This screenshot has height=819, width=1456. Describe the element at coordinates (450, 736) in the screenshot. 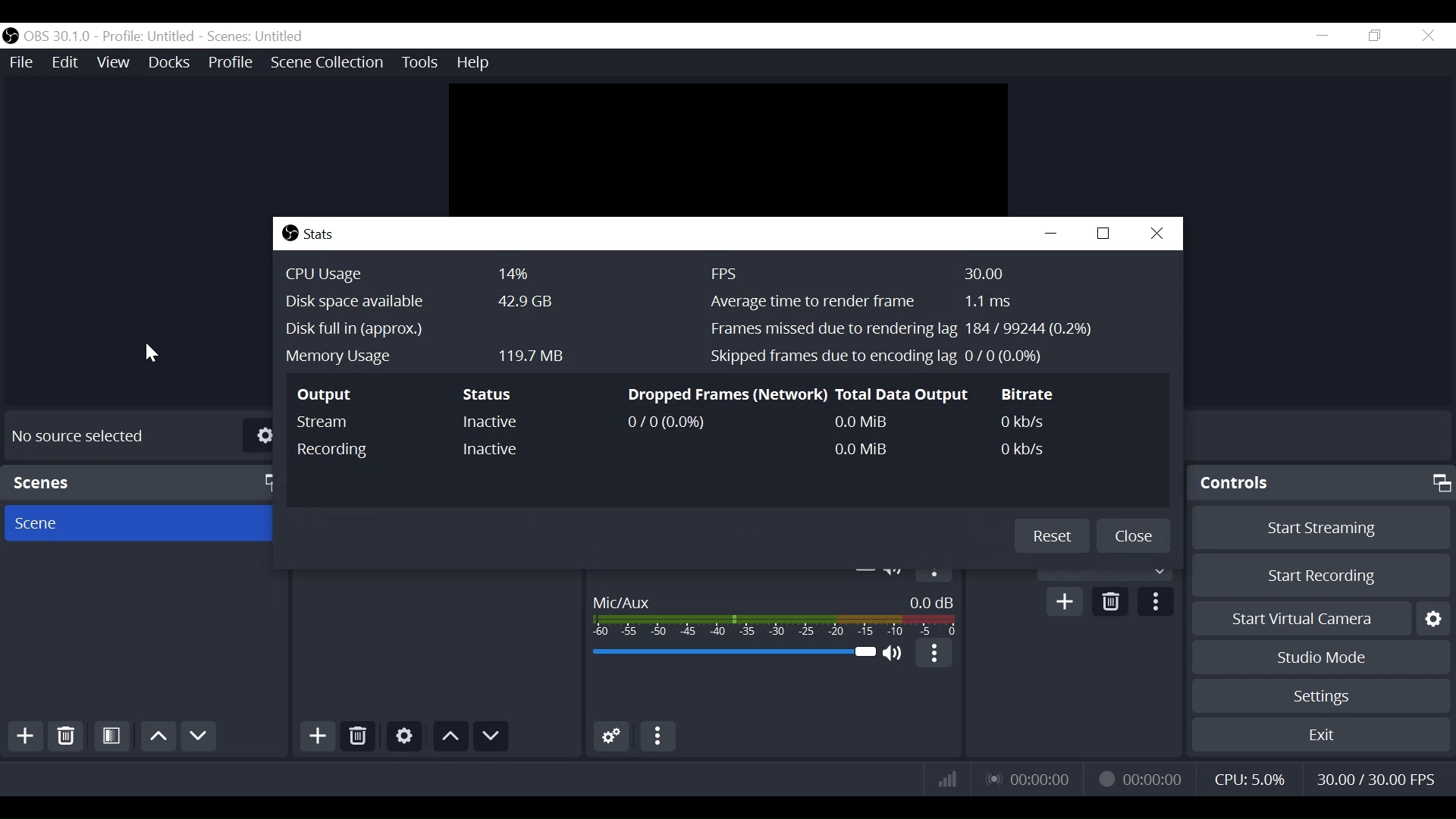

I see `move up` at that location.